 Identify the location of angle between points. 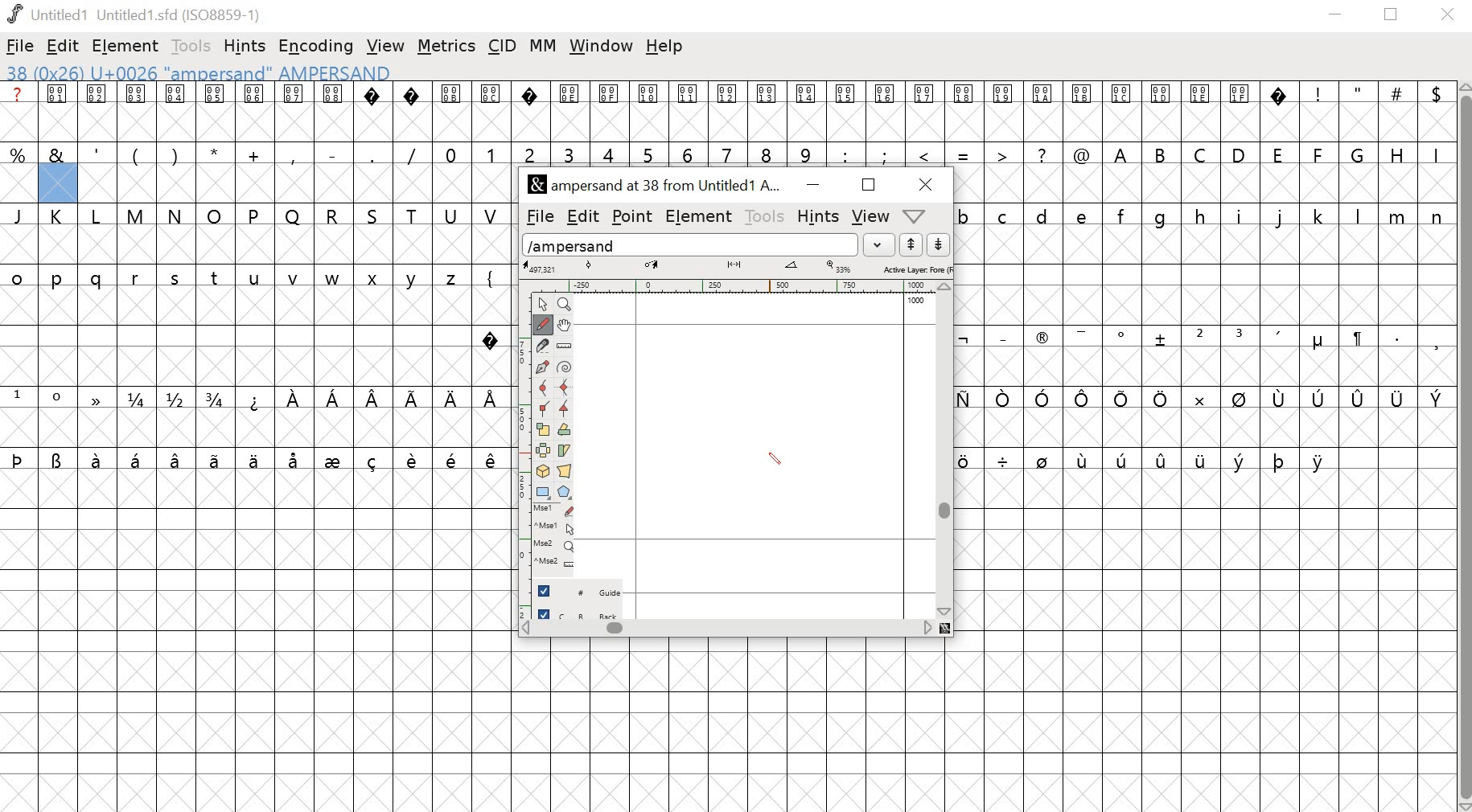
(792, 268).